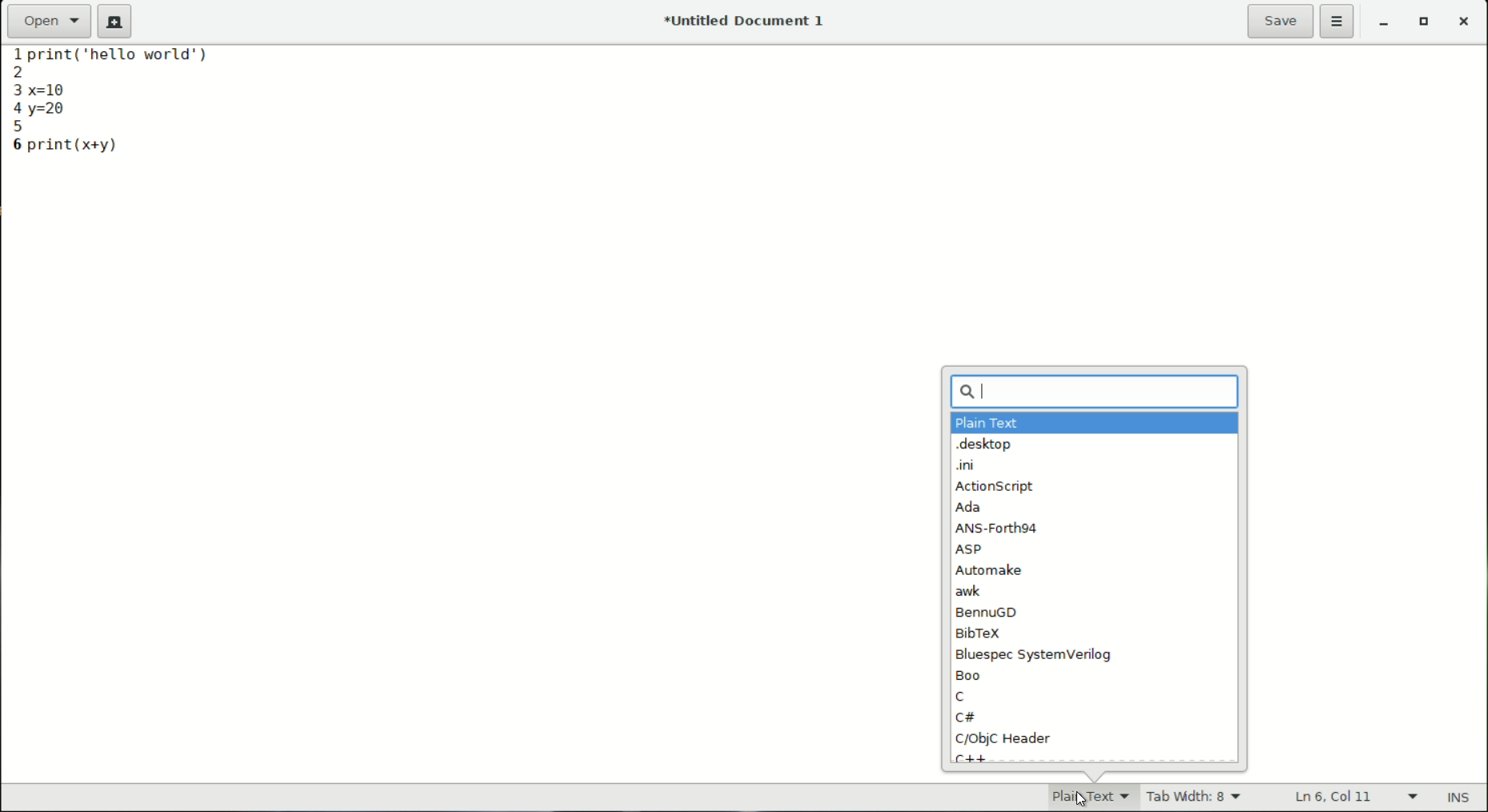  I want to click on Search icon, so click(953, 390).